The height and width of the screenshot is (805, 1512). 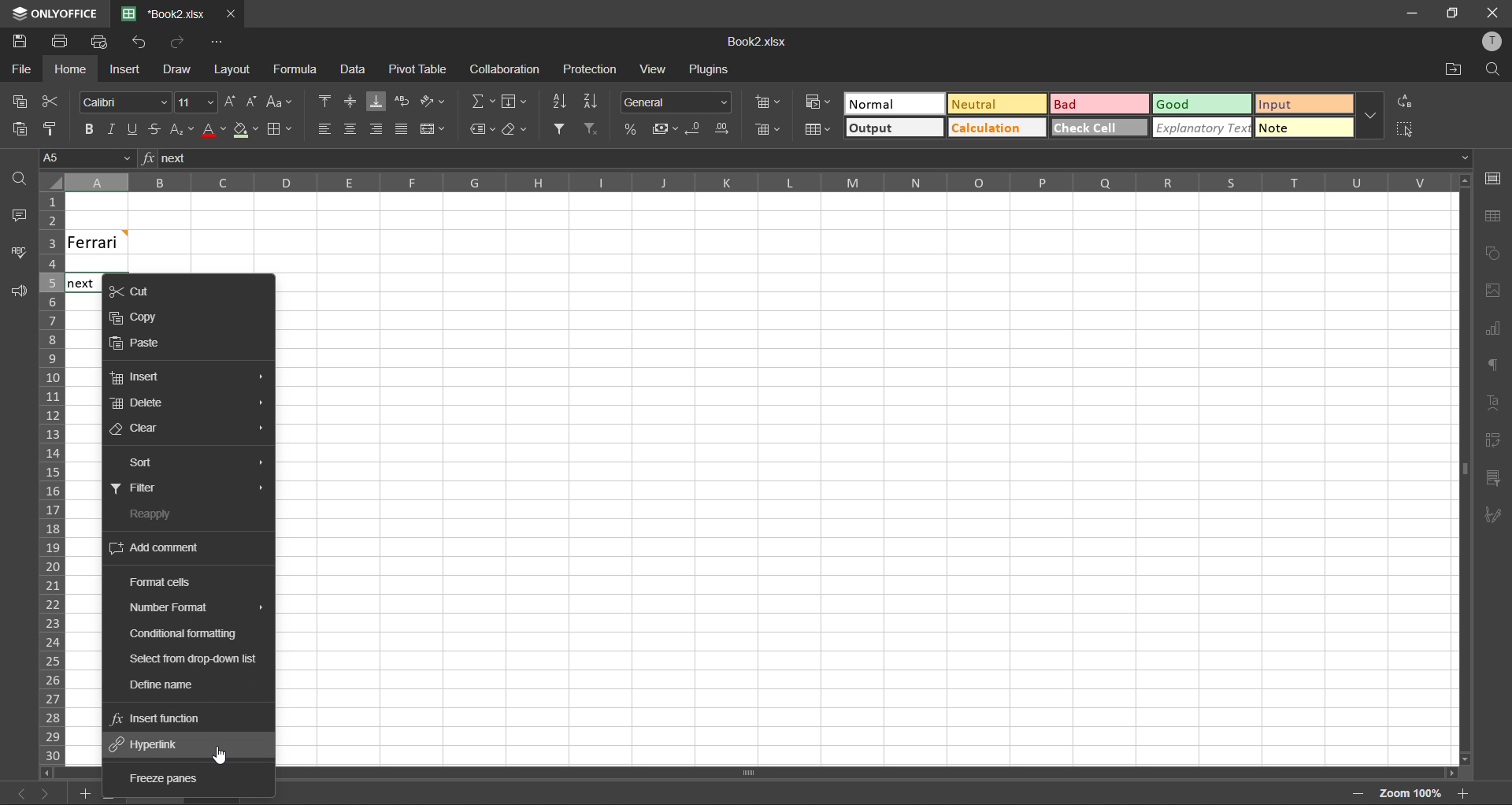 I want to click on insert cells, so click(x=768, y=103).